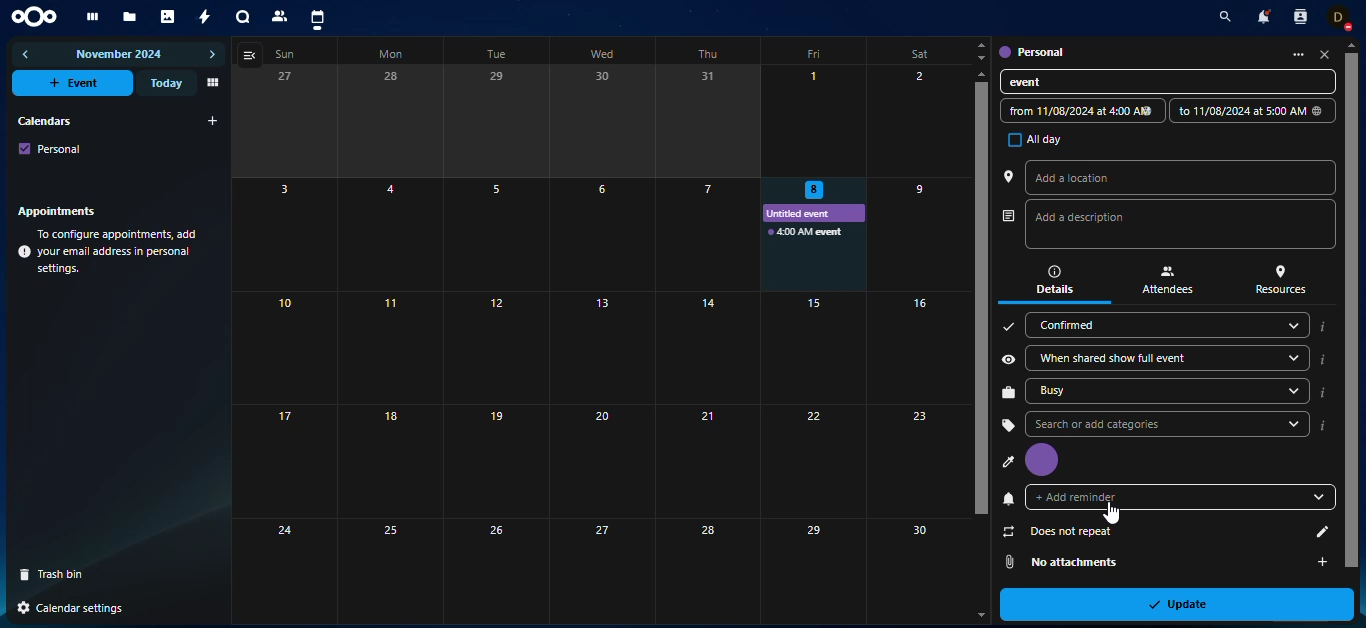 The height and width of the screenshot is (628, 1366). I want to click on talk, so click(243, 18).